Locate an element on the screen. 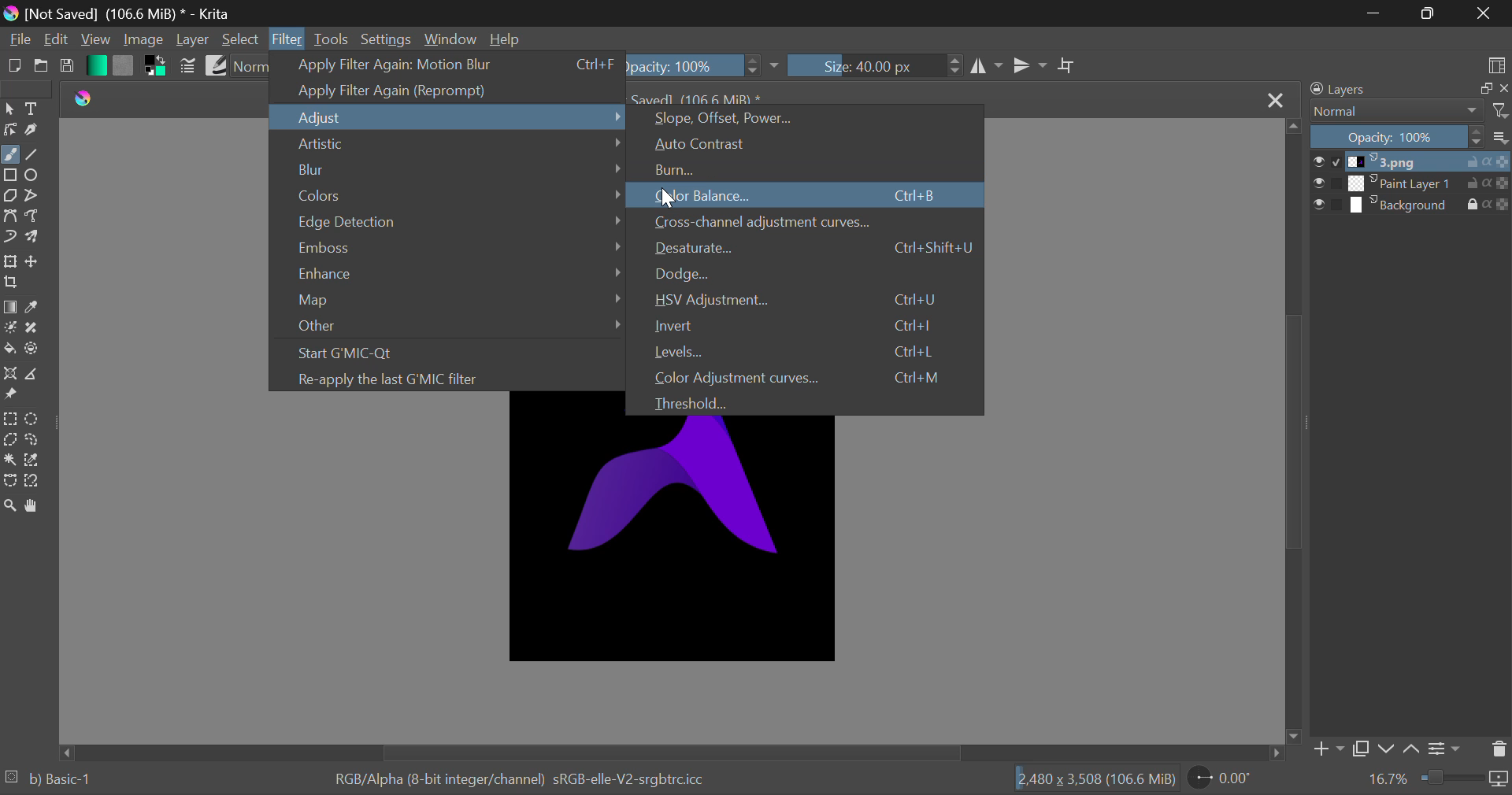 This screenshot has height=795, width=1512. Smart Patch Tool is located at coordinates (35, 327).